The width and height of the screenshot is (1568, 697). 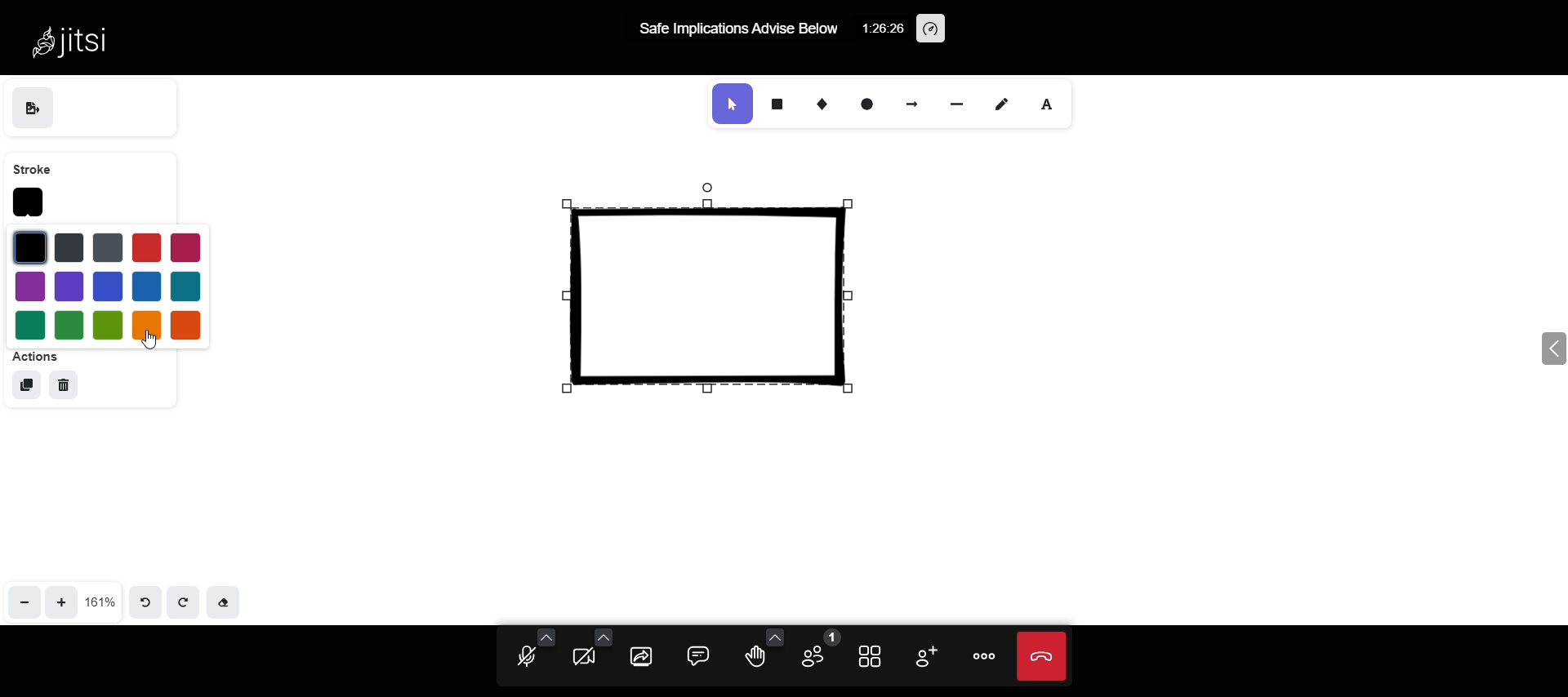 I want to click on red, so click(x=189, y=326).